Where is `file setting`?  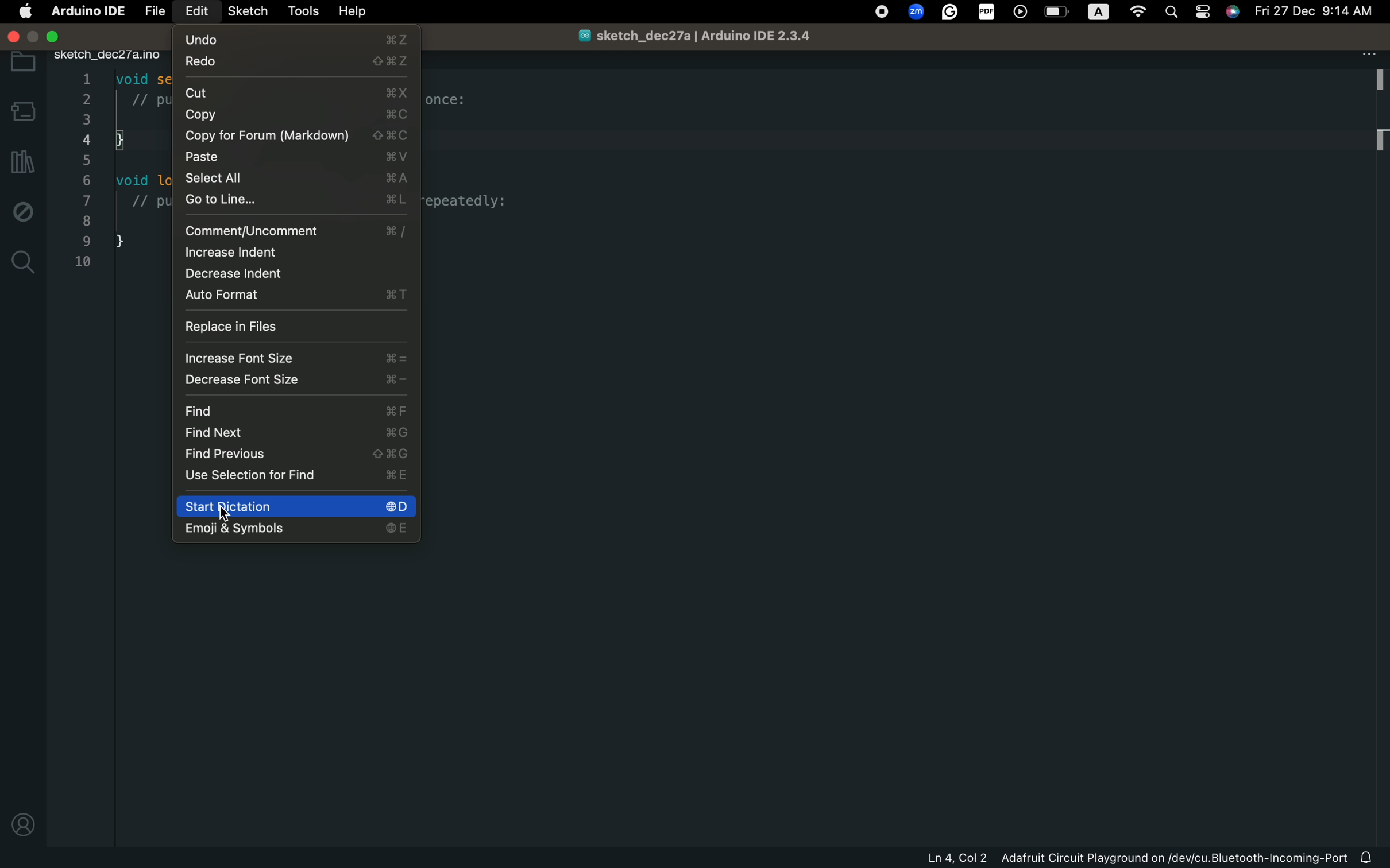
file setting is located at coordinates (1369, 55).